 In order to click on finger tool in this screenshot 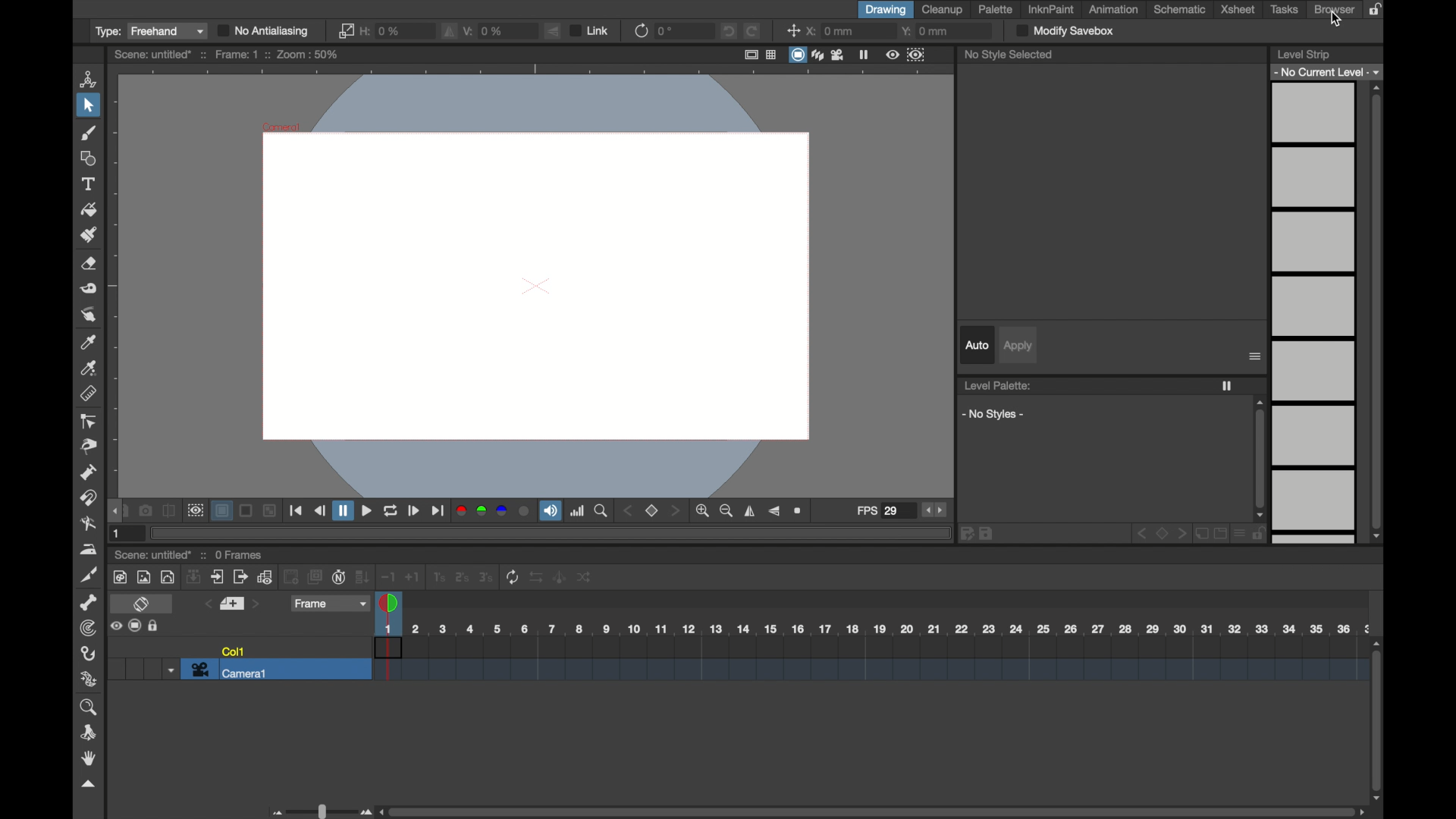, I will do `click(87, 315)`.